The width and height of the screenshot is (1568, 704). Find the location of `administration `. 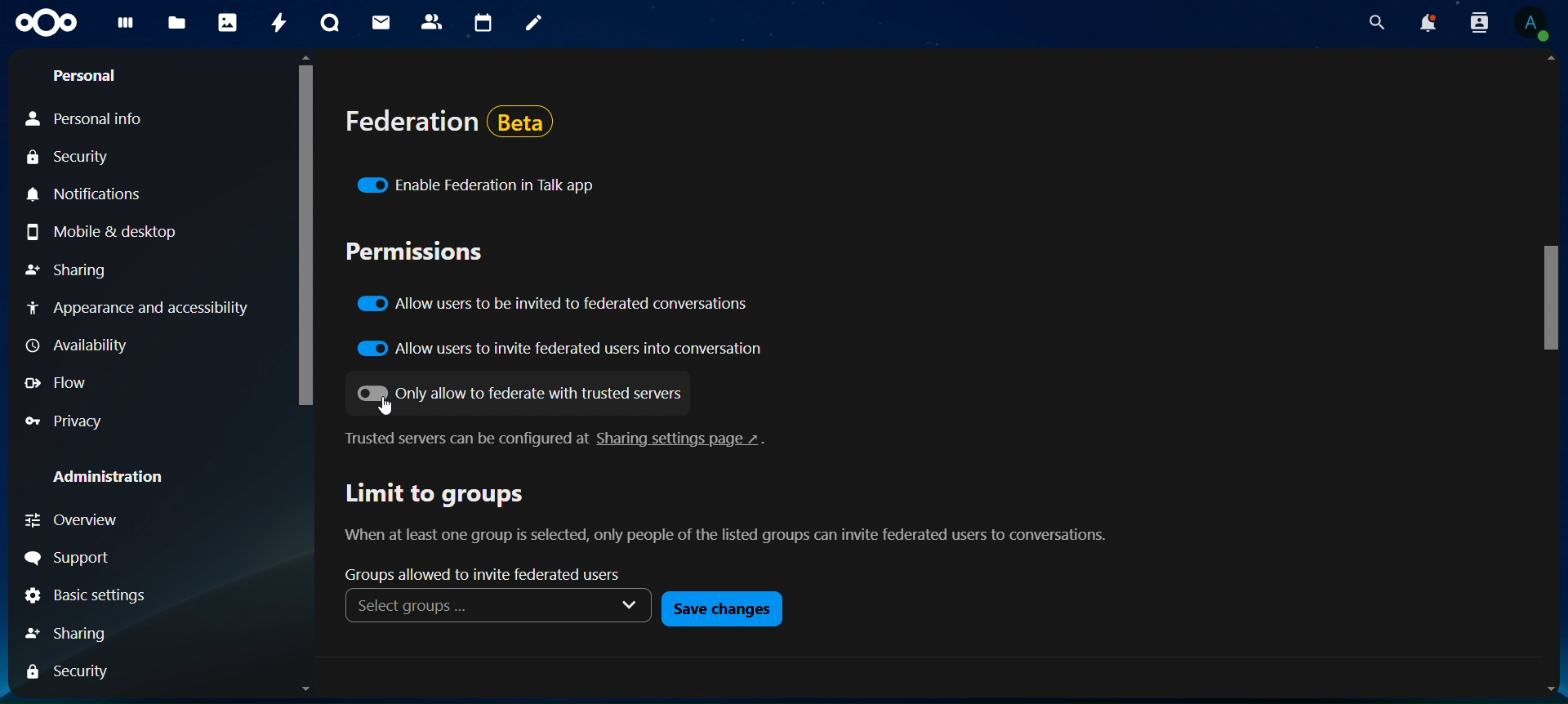

administration  is located at coordinates (114, 479).